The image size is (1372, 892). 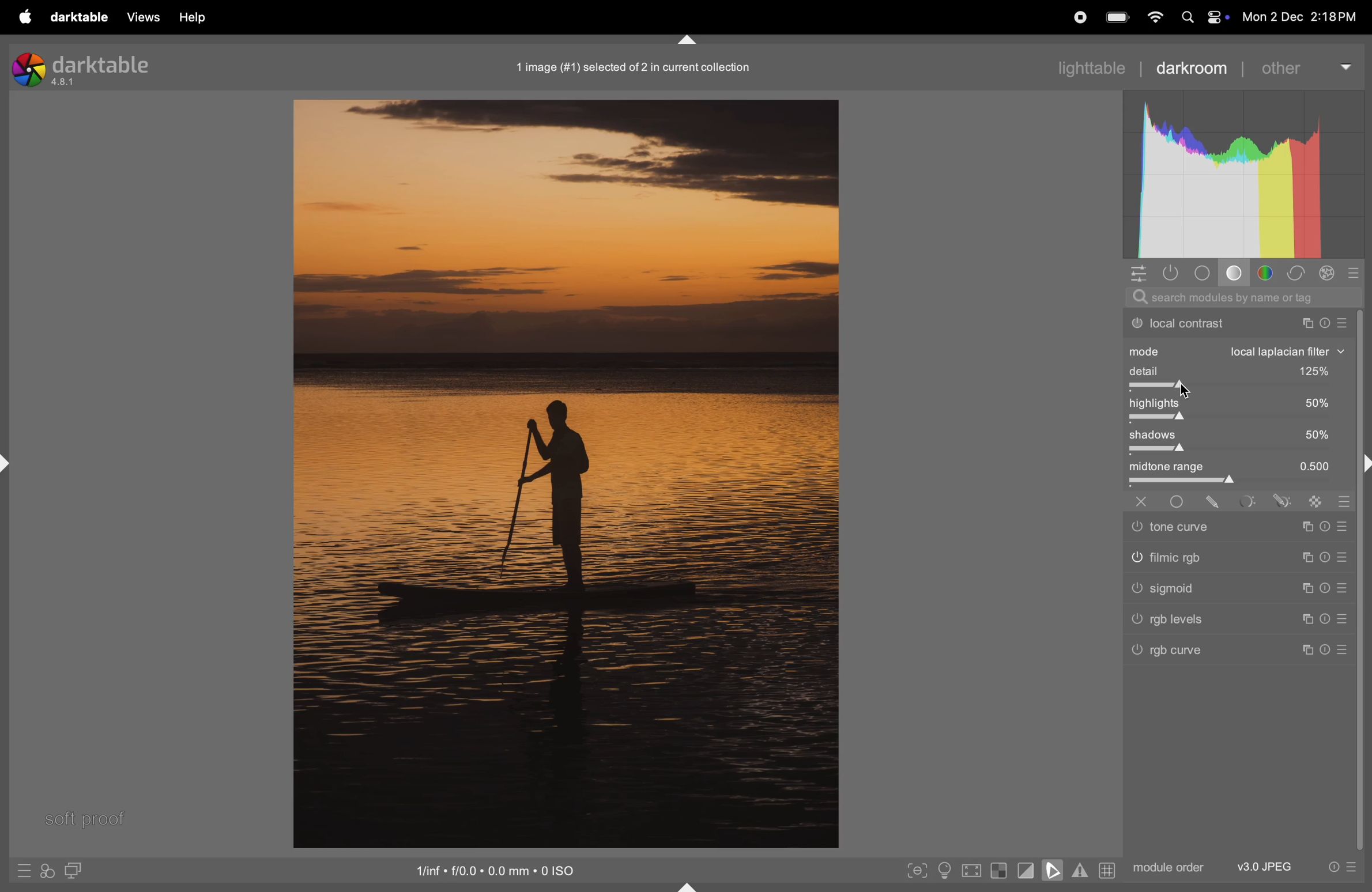 What do you see at coordinates (1342, 652) in the screenshot?
I see `` at bounding box center [1342, 652].